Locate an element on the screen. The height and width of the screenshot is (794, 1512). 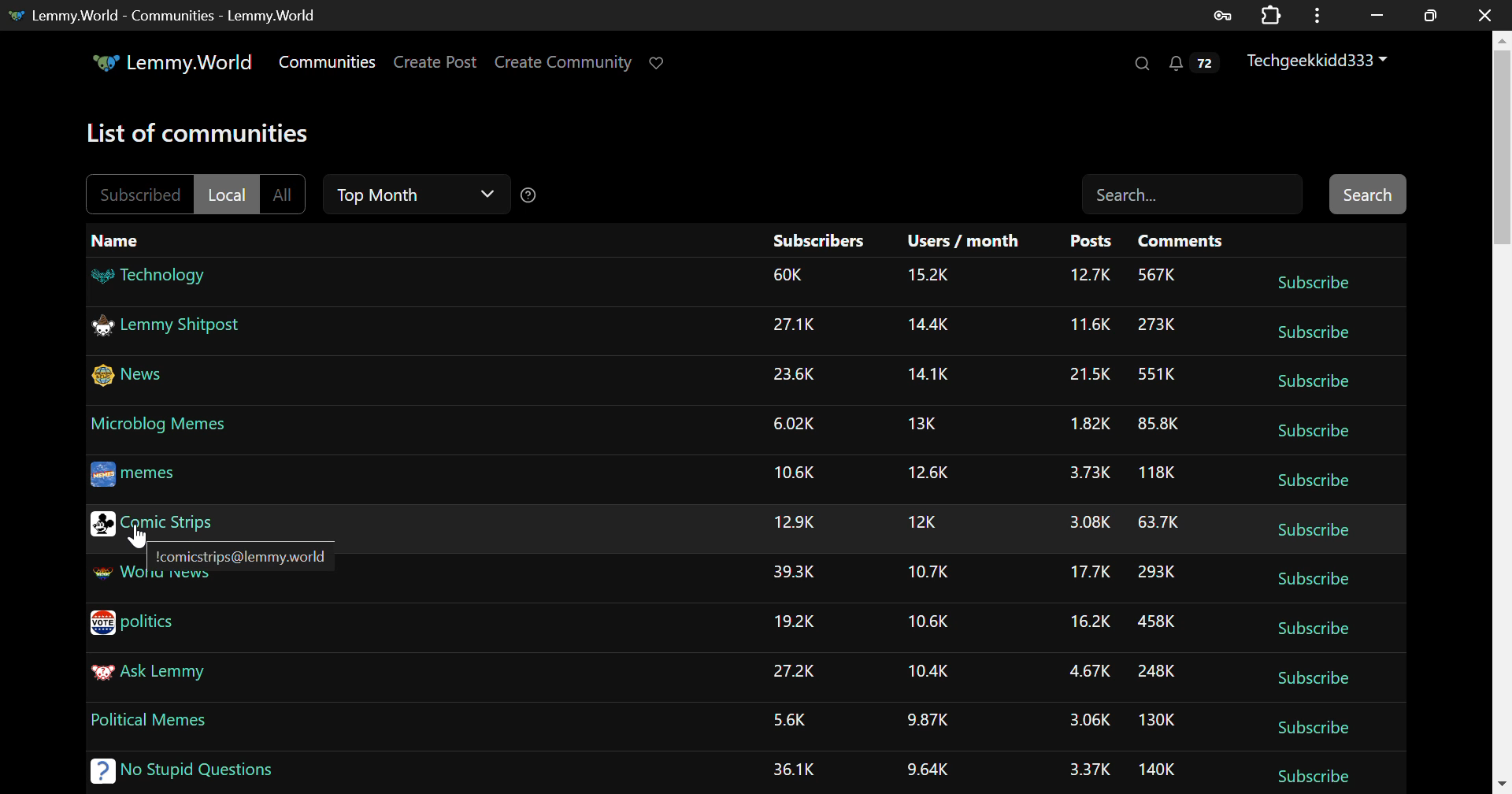
Subscribe is located at coordinates (1318, 529).